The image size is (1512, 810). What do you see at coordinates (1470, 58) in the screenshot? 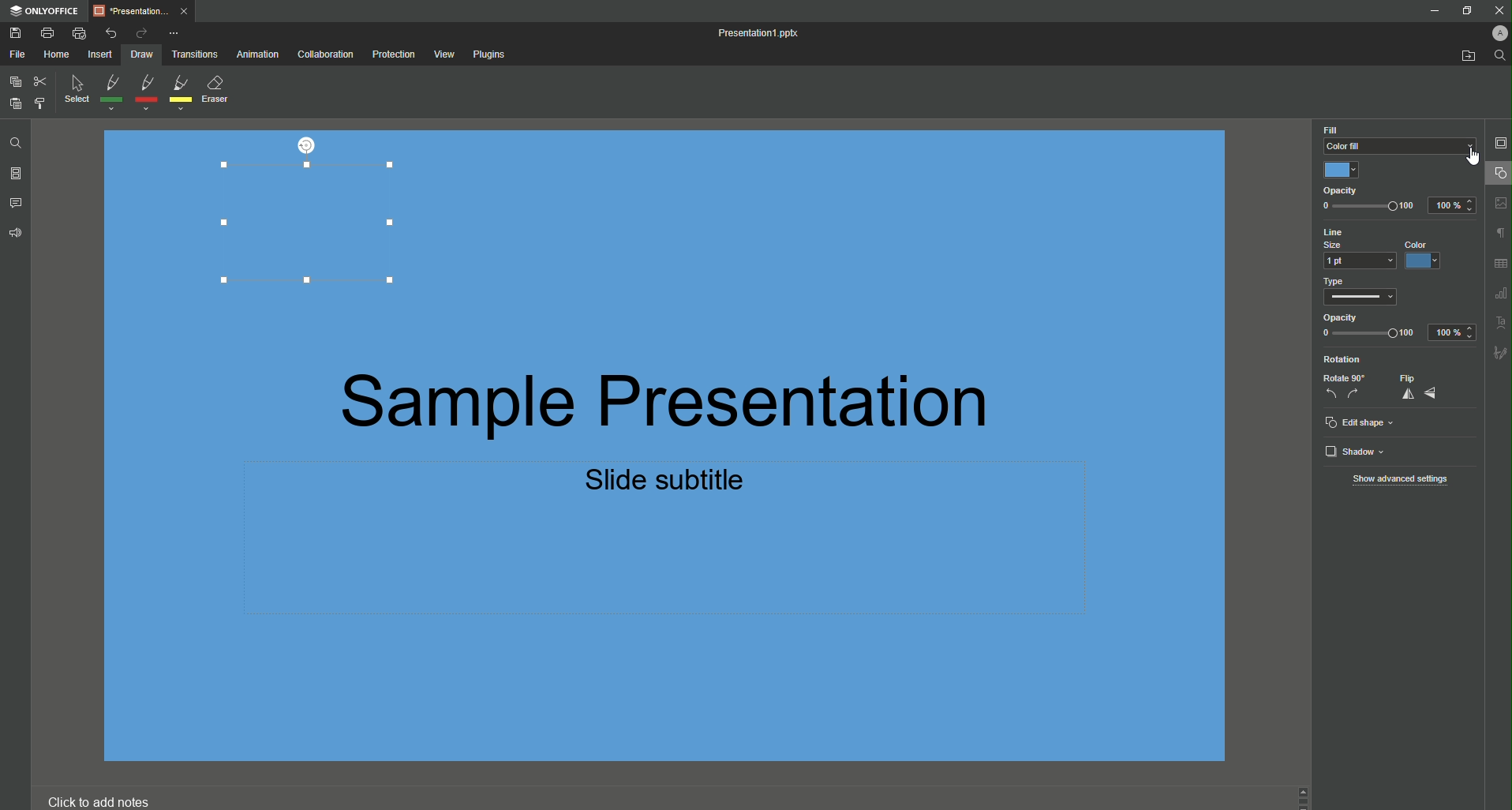
I see `Open From Fil` at bounding box center [1470, 58].